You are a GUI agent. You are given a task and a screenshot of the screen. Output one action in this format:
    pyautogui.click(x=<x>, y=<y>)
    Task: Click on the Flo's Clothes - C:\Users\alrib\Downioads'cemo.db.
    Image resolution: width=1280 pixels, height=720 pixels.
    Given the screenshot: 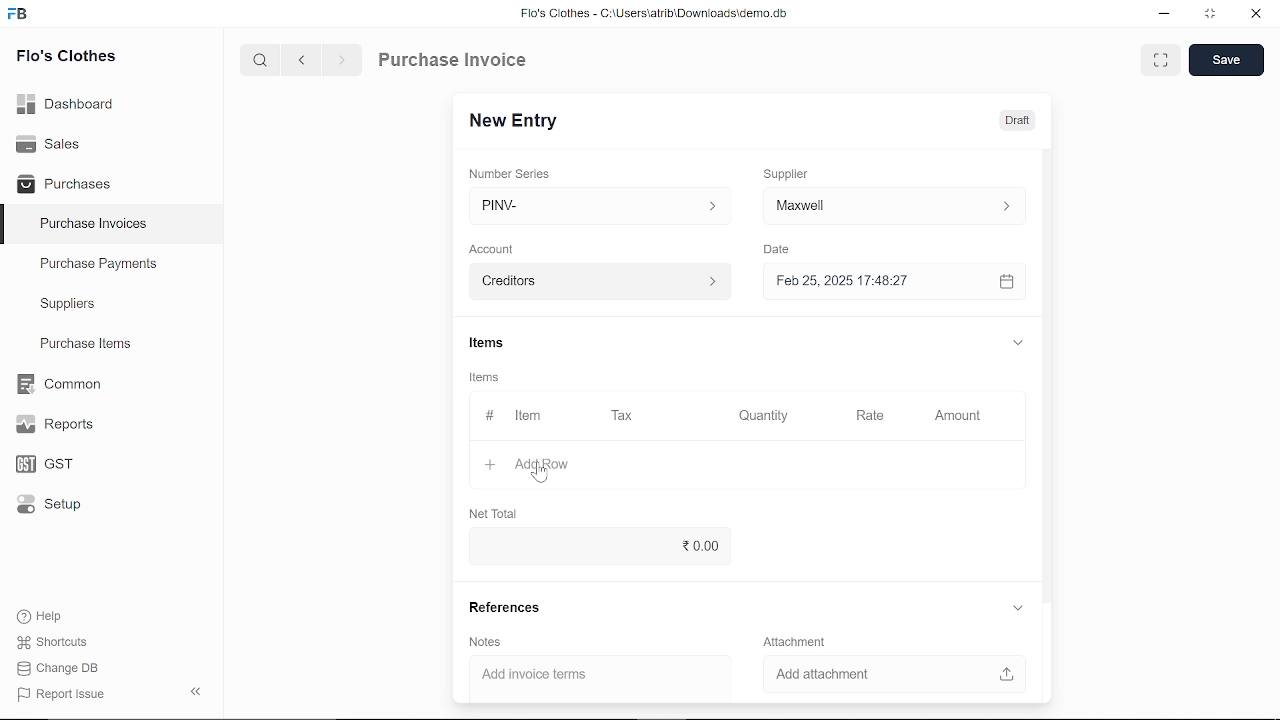 What is the action you would take?
    pyautogui.click(x=653, y=17)
    